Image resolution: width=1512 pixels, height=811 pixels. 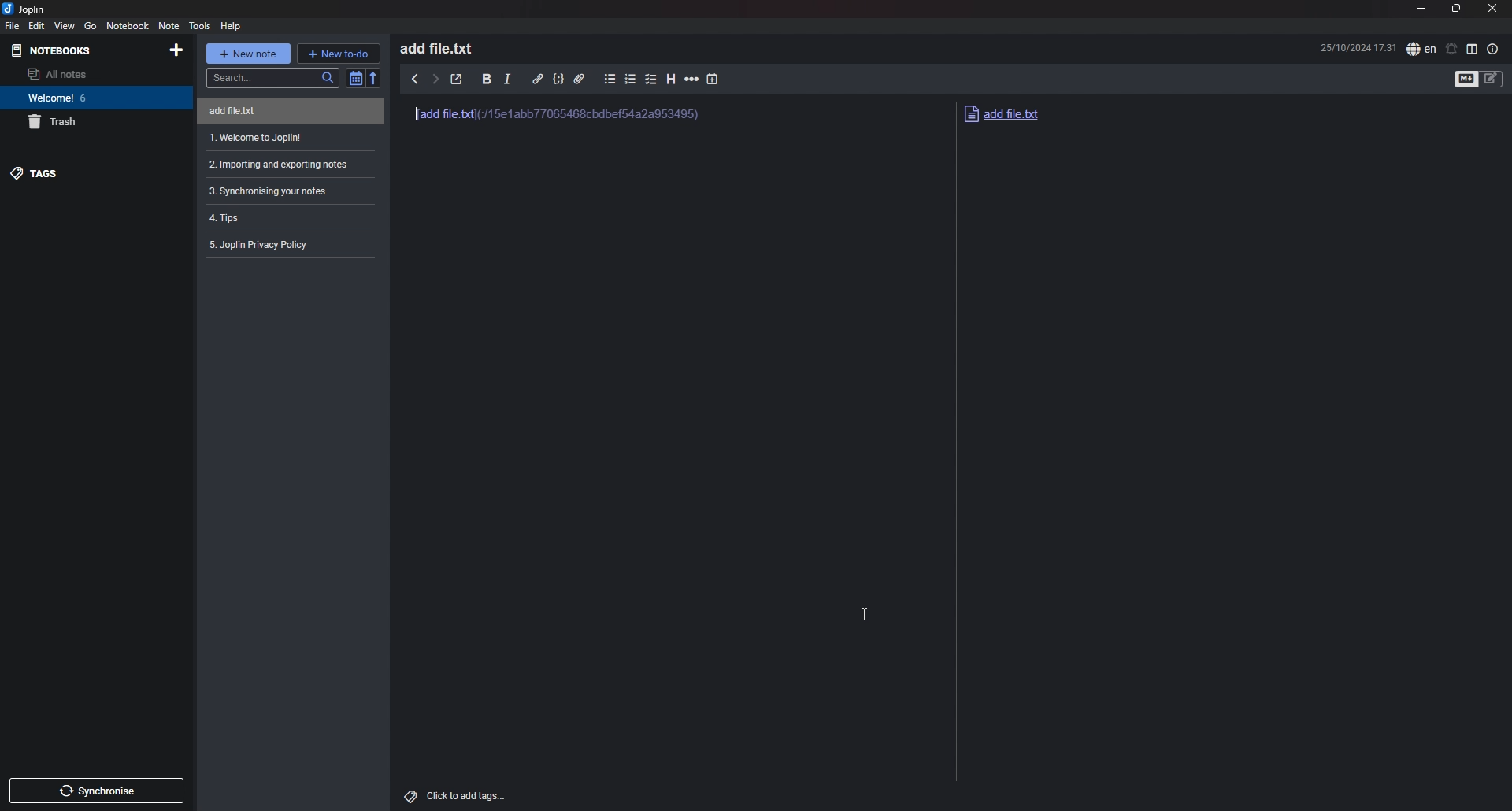 What do you see at coordinates (435, 79) in the screenshot?
I see `forward` at bounding box center [435, 79].